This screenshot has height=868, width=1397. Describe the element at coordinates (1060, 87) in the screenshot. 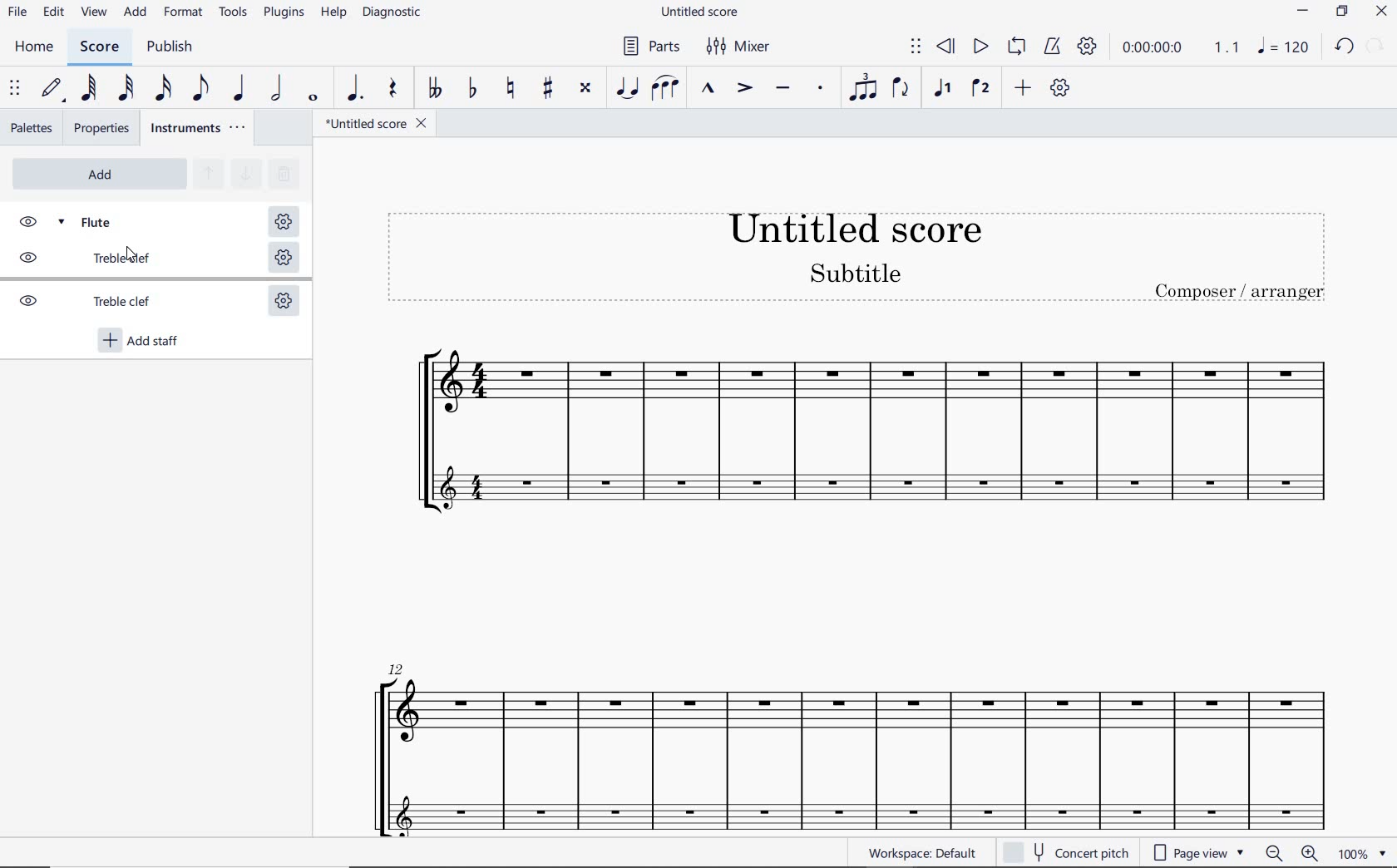

I see `CUSTOMIZE TOOLBAR` at that location.